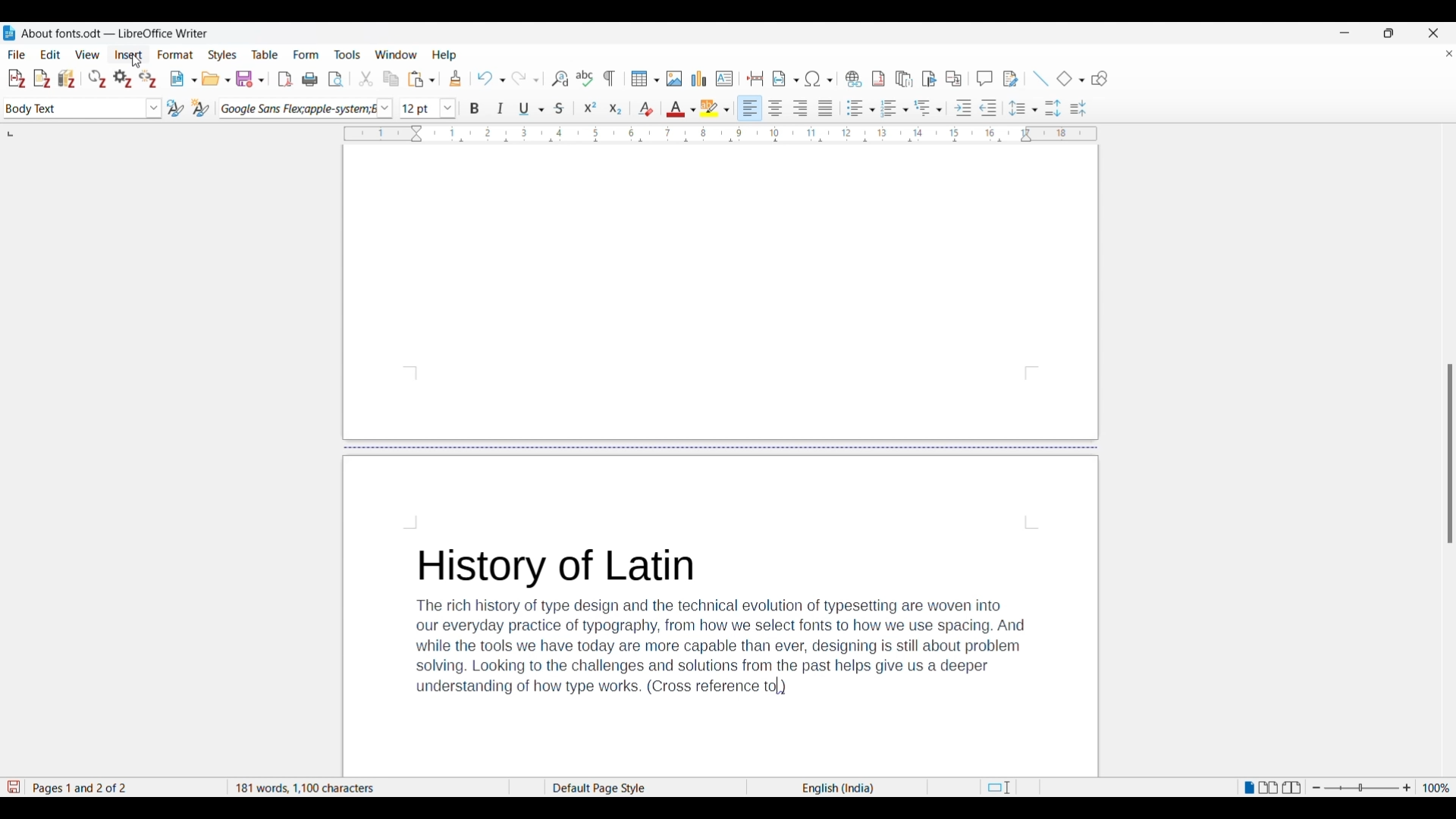  What do you see at coordinates (560, 78) in the screenshot?
I see `Find and replace` at bounding box center [560, 78].